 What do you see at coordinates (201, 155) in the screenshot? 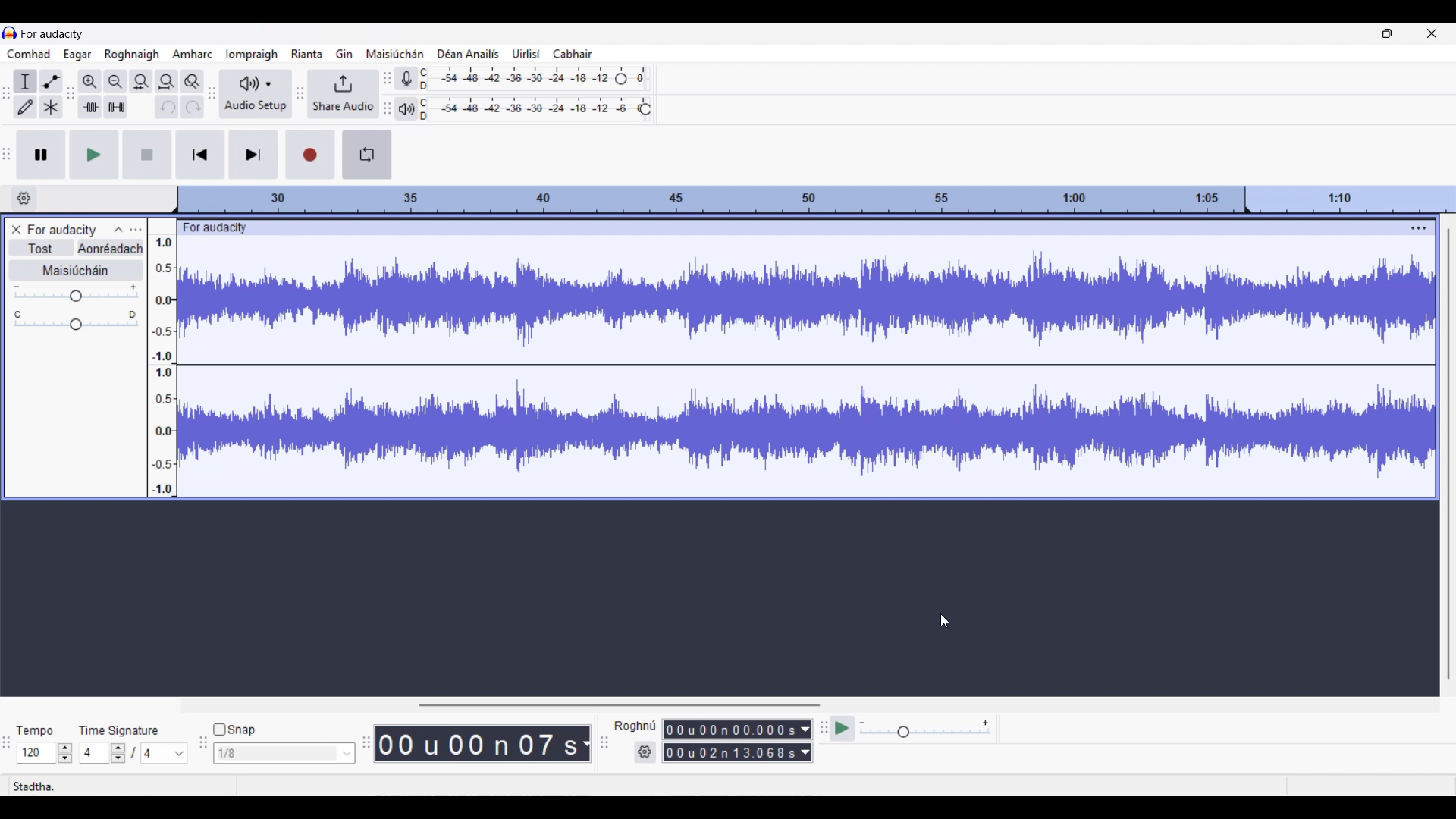
I see `Skip/Select to start` at bounding box center [201, 155].